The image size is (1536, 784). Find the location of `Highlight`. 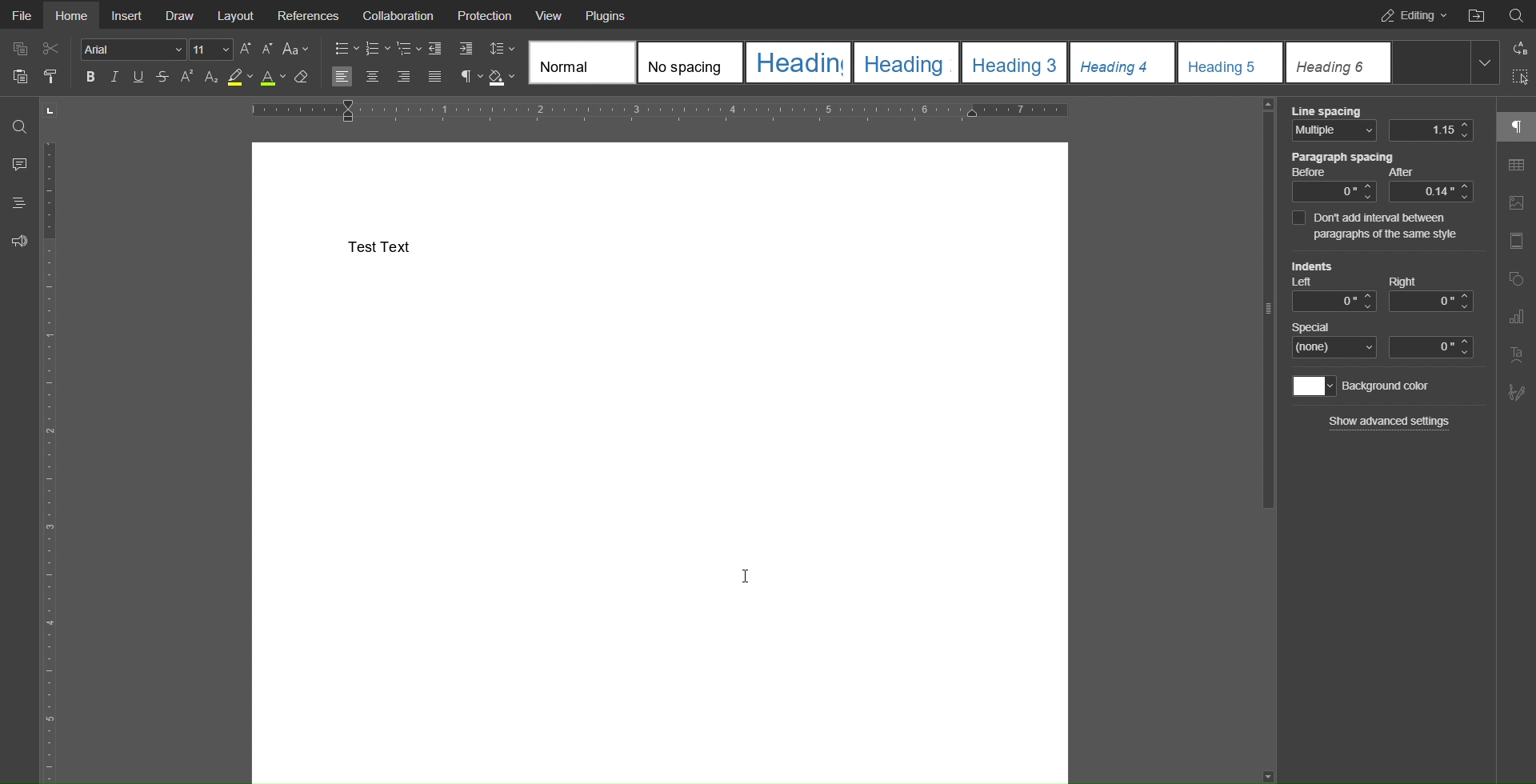

Highlight is located at coordinates (240, 78).